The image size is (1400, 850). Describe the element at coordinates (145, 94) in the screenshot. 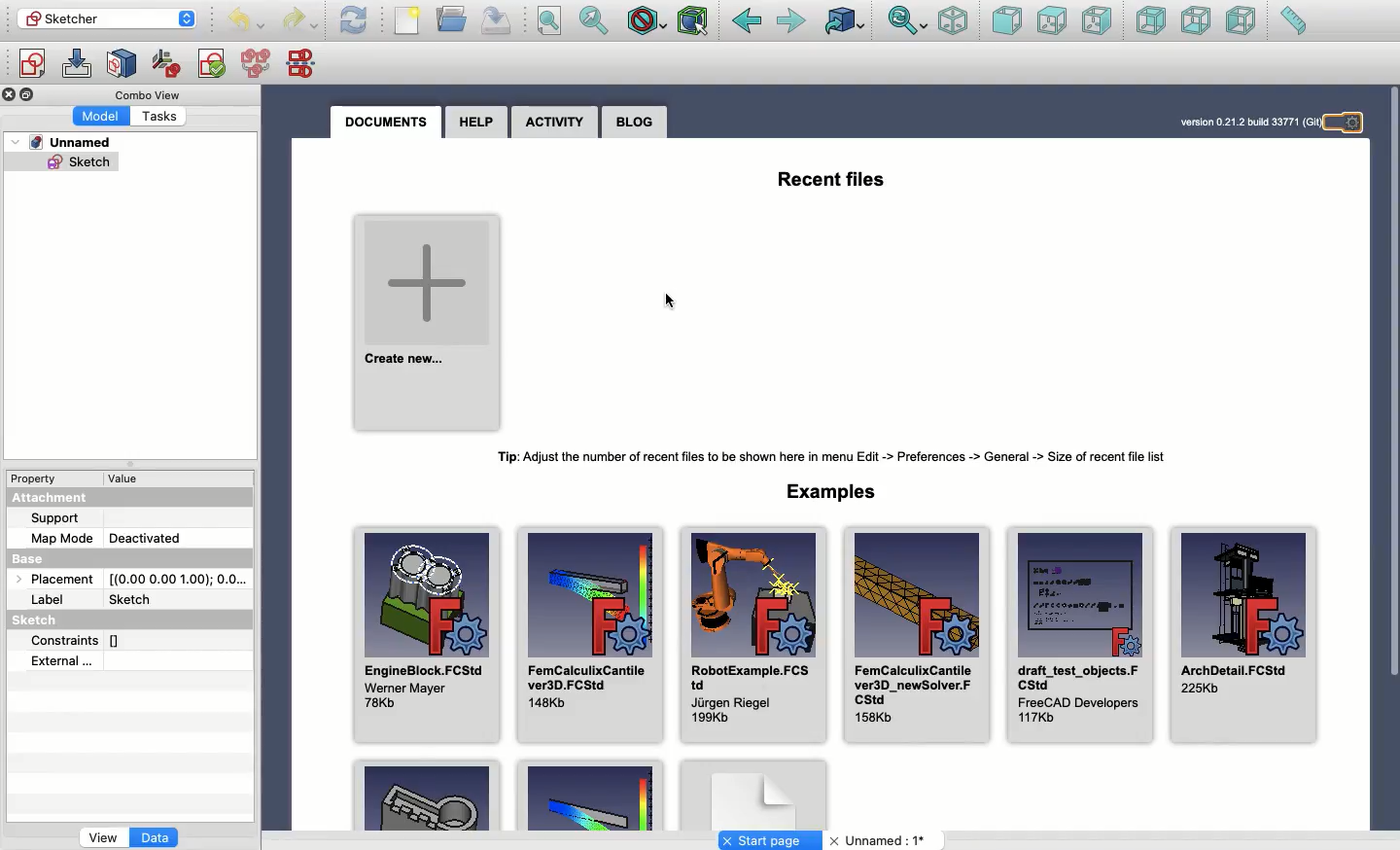

I see `Combo view` at that location.